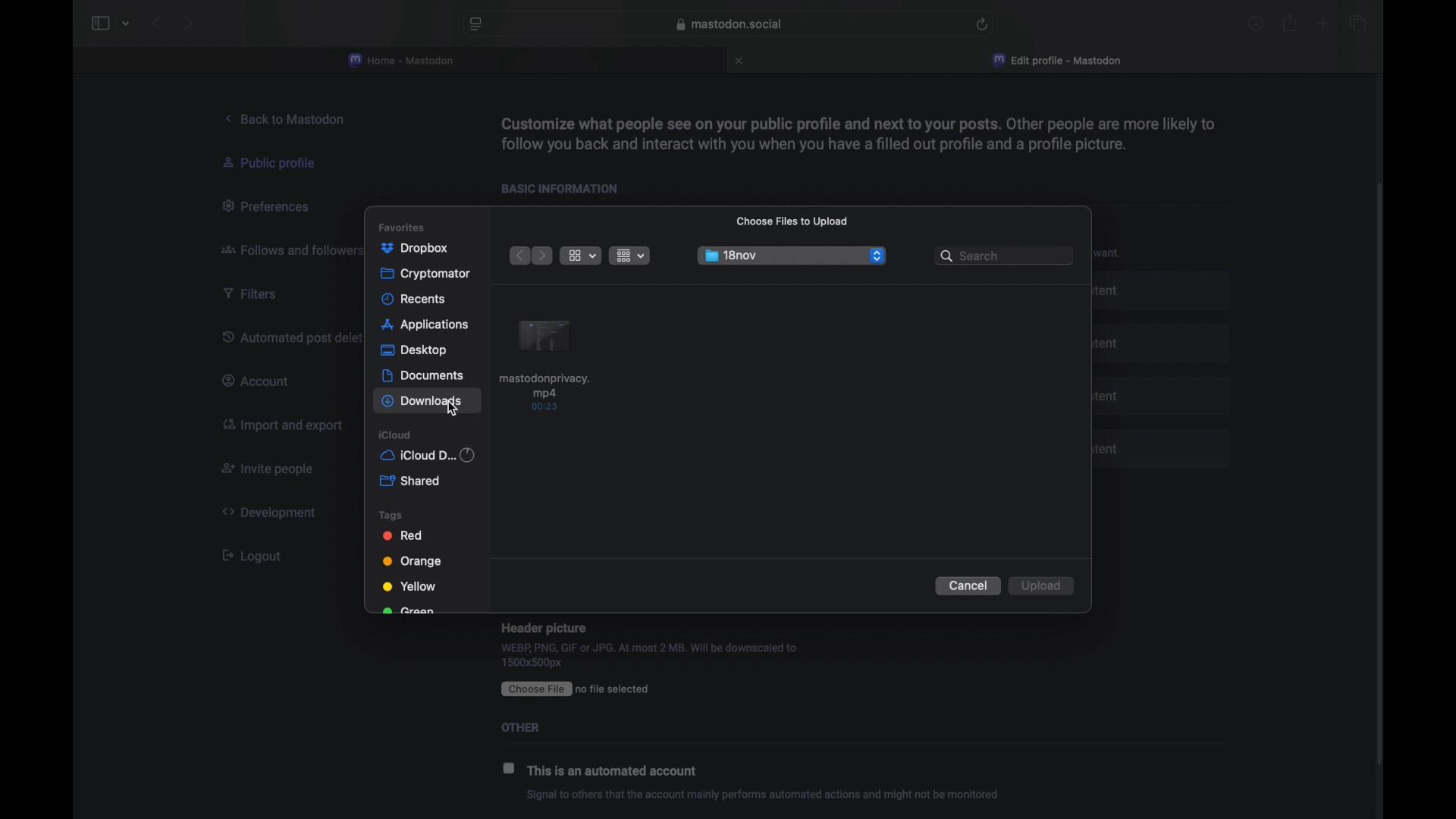  What do you see at coordinates (426, 325) in the screenshot?
I see `applications` at bounding box center [426, 325].